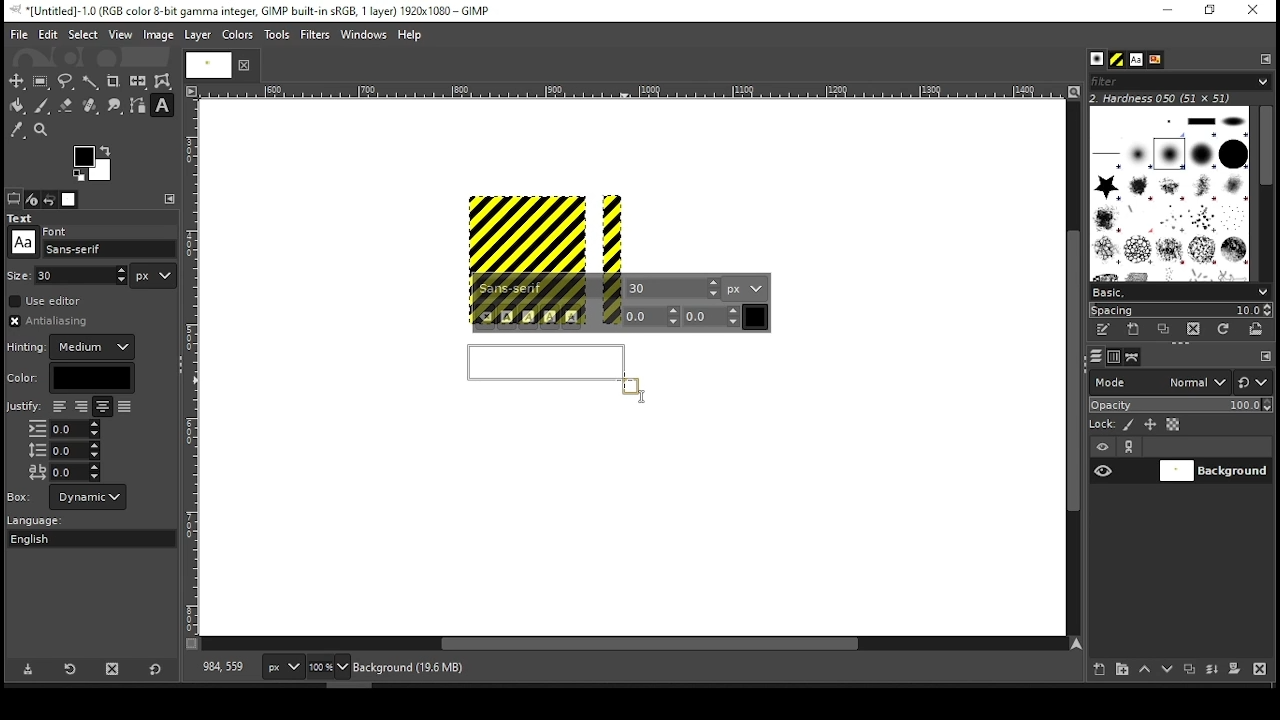 This screenshot has height=720, width=1280. Describe the element at coordinates (121, 36) in the screenshot. I see `view` at that location.